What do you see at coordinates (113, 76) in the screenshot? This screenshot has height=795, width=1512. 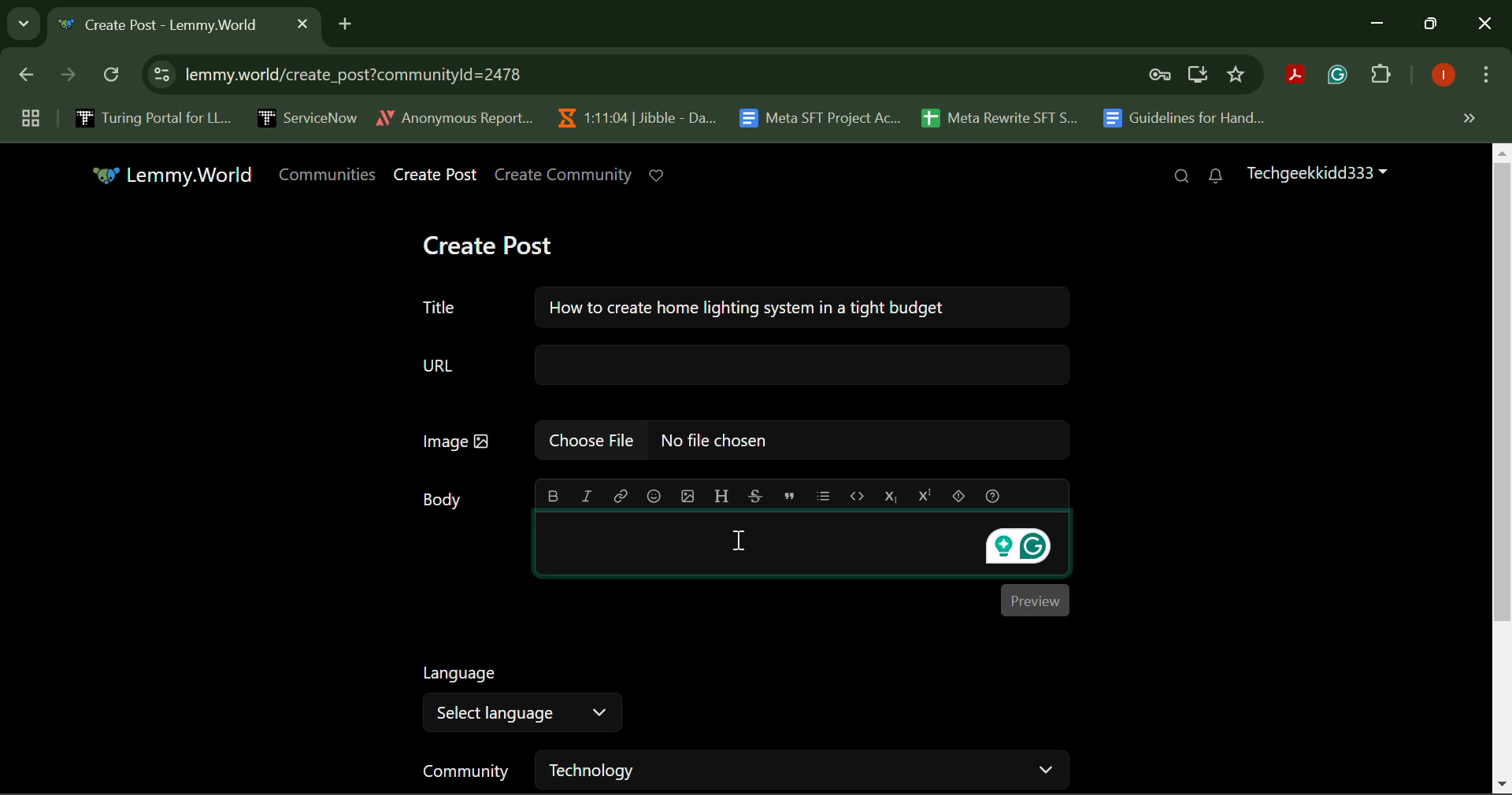 I see `Refresh Page ` at bounding box center [113, 76].